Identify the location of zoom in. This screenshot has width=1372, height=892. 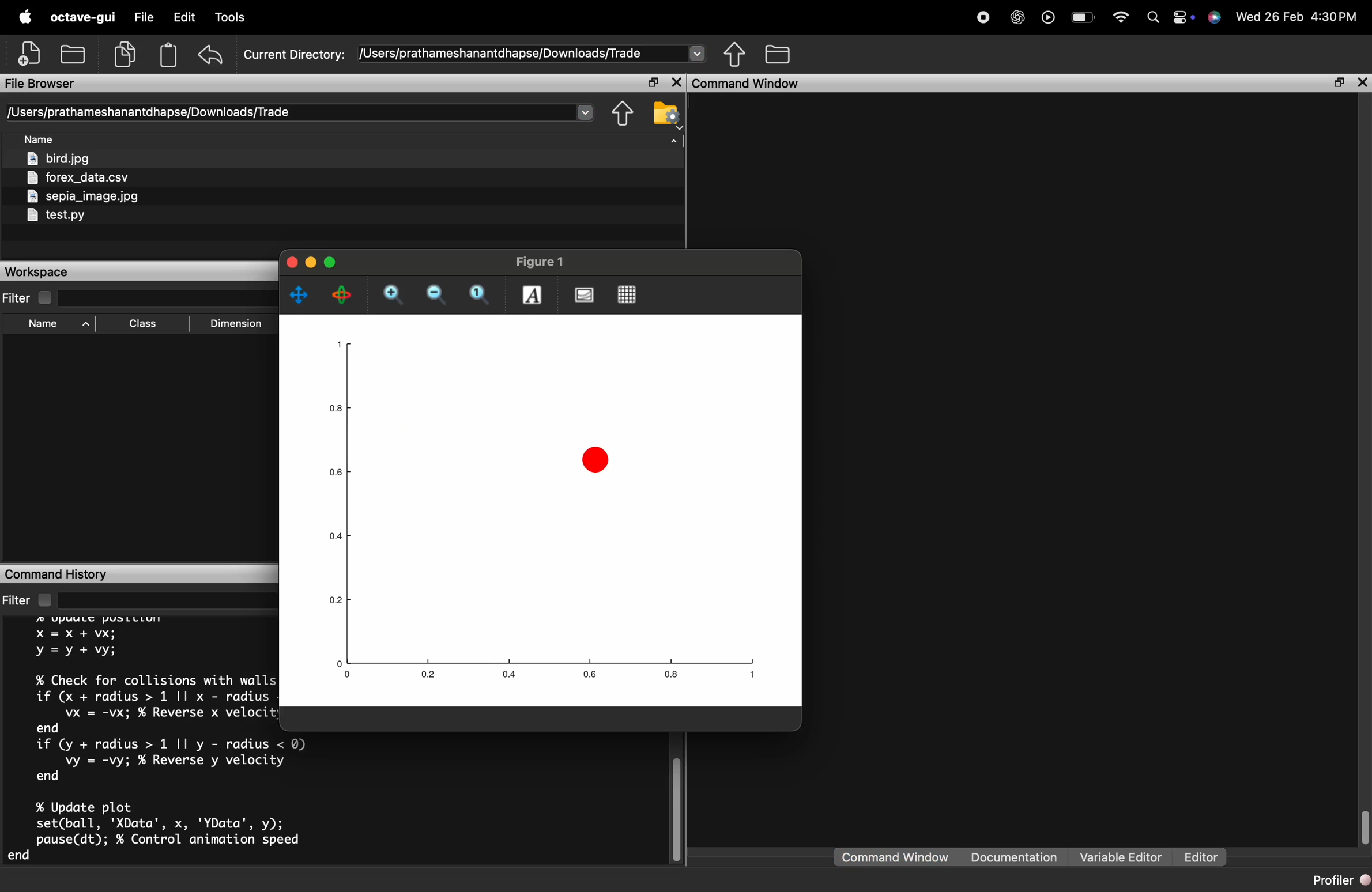
(397, 297).